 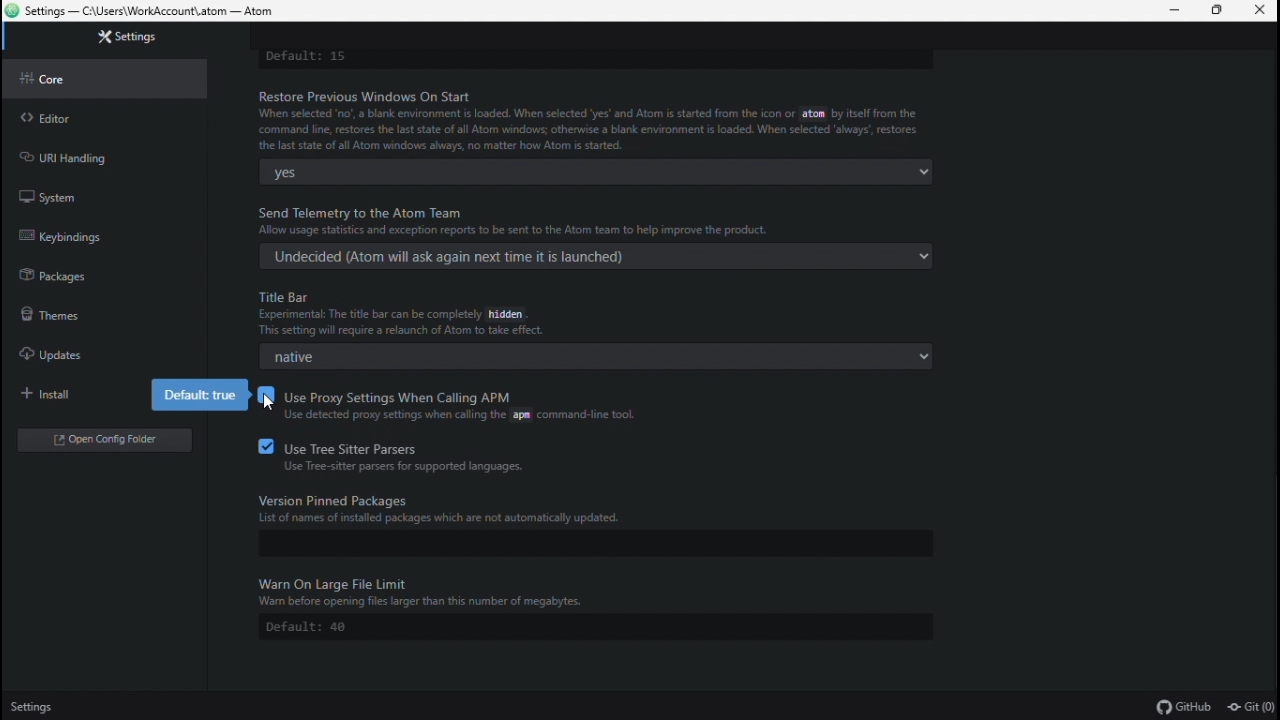 What do you see at coordinates (141, 12) in the screenshot?
I see `File name and file path` at bounding box center [141, 12].